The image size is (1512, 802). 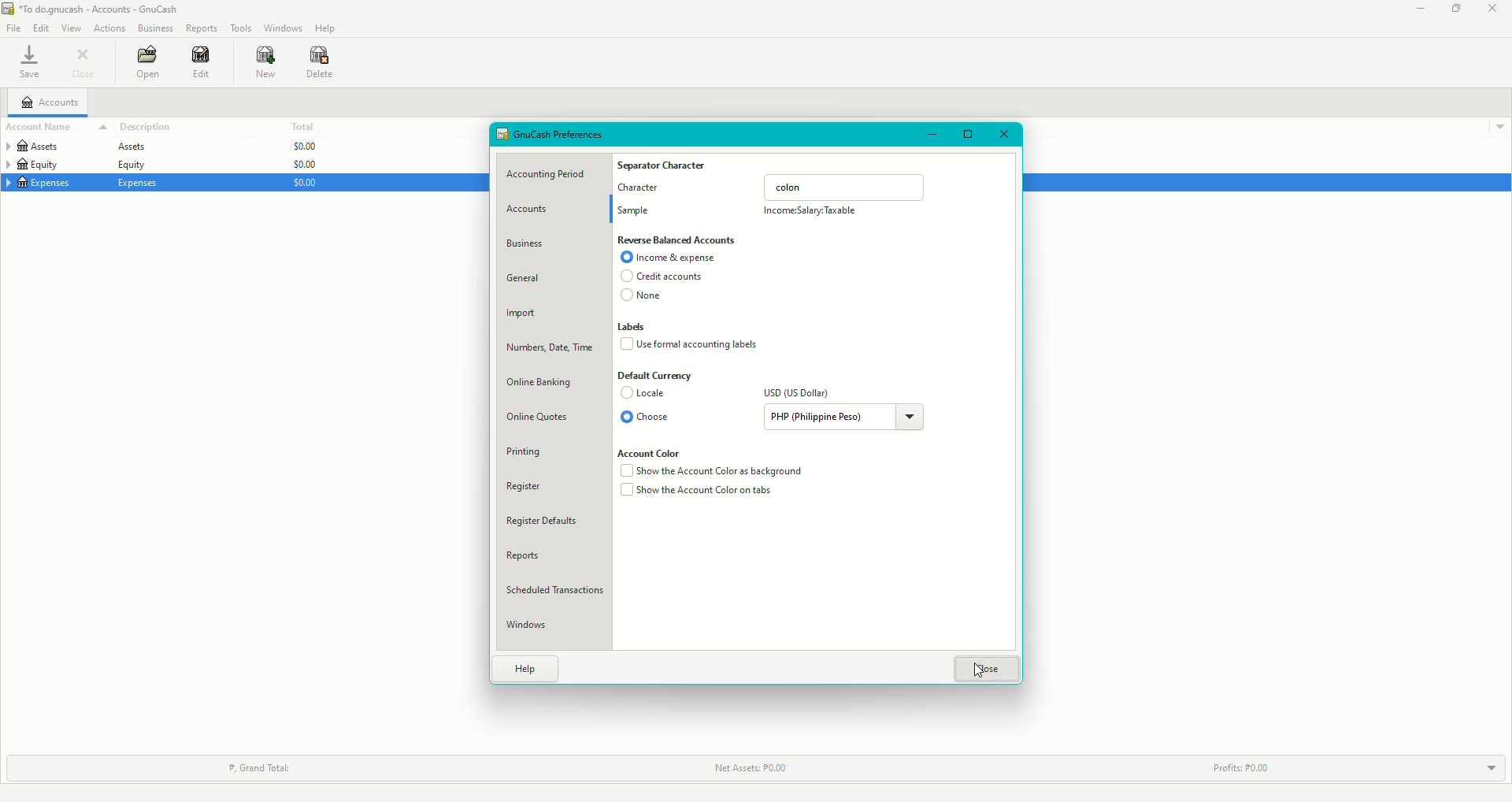 I want to click on $0, so click(x=300, y=165).